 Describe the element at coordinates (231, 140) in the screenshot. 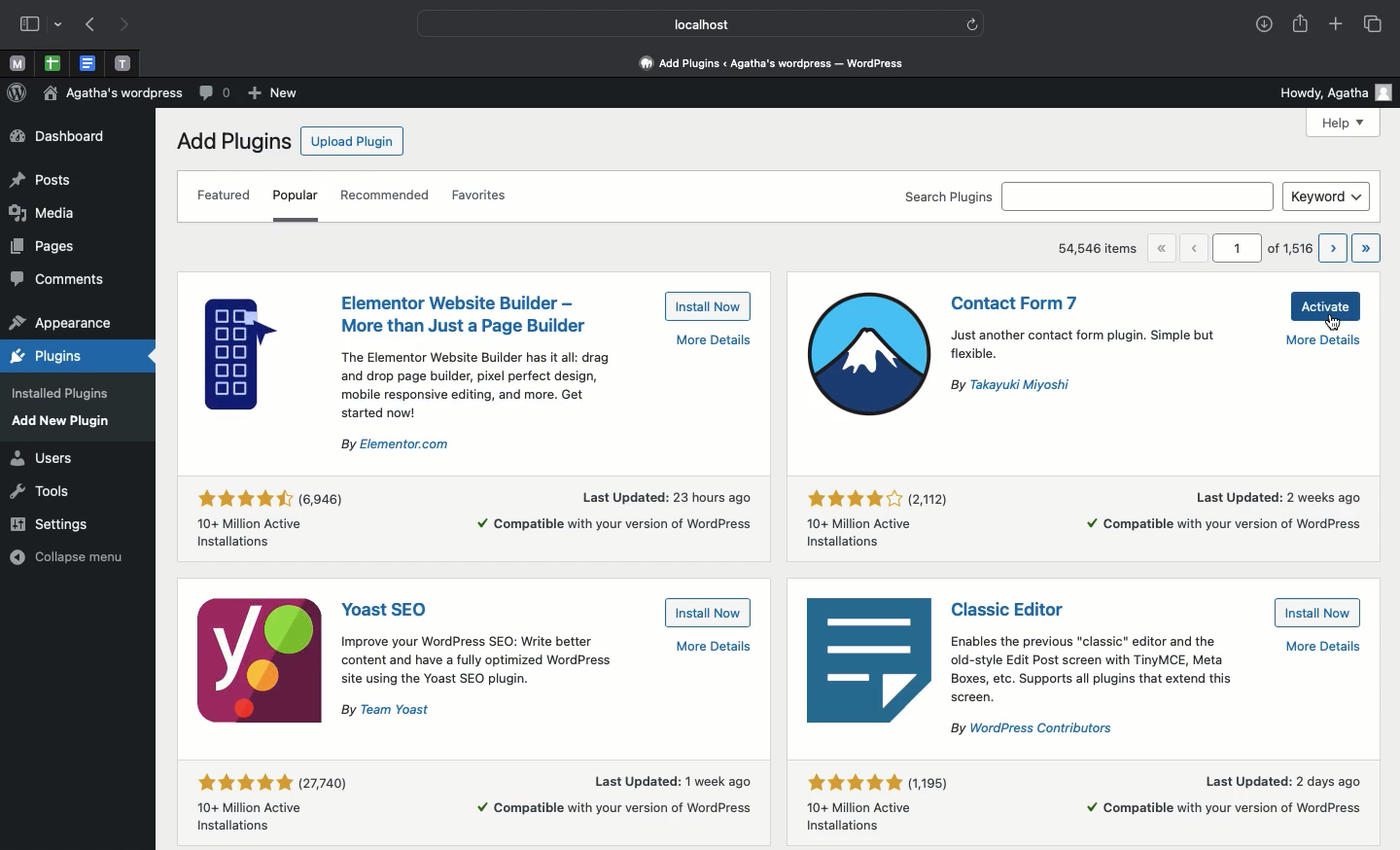

I see `Add plugins` at that location.